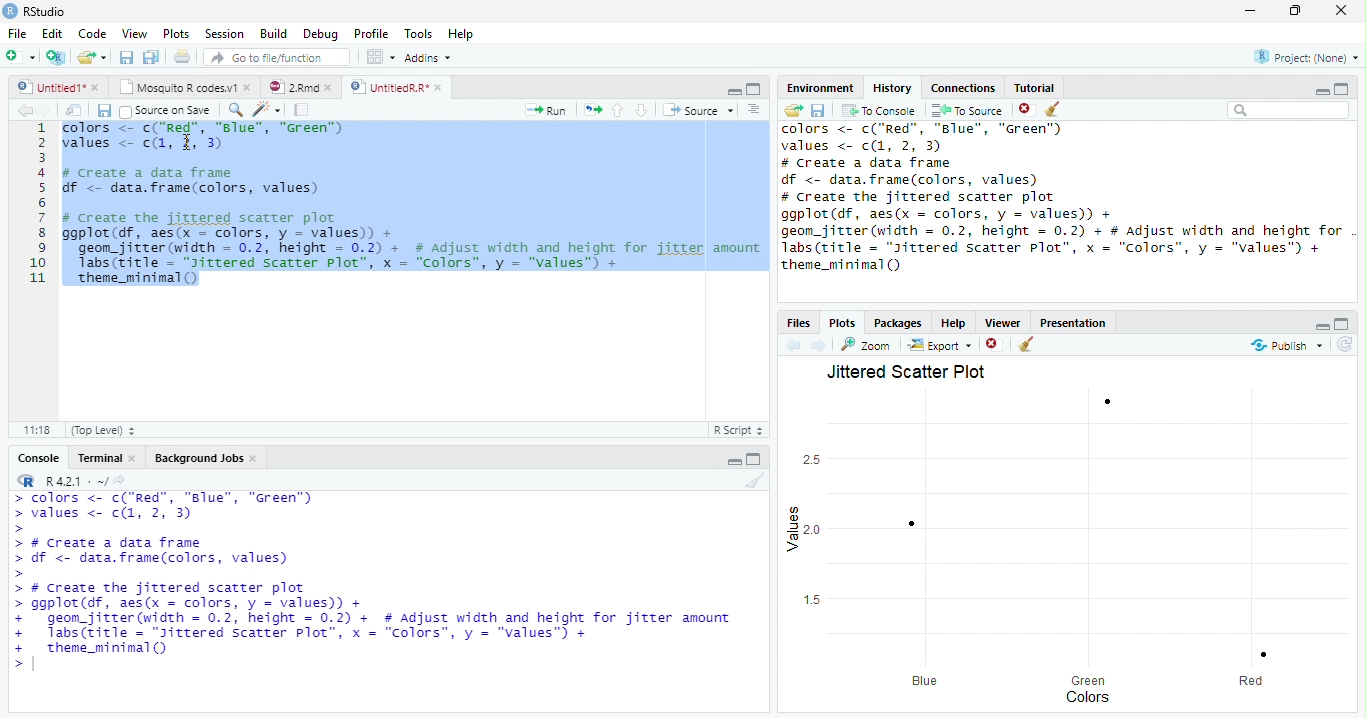 The width and height of the screenshot is (1366, 718). I want to click on Source, so click(698, 110).